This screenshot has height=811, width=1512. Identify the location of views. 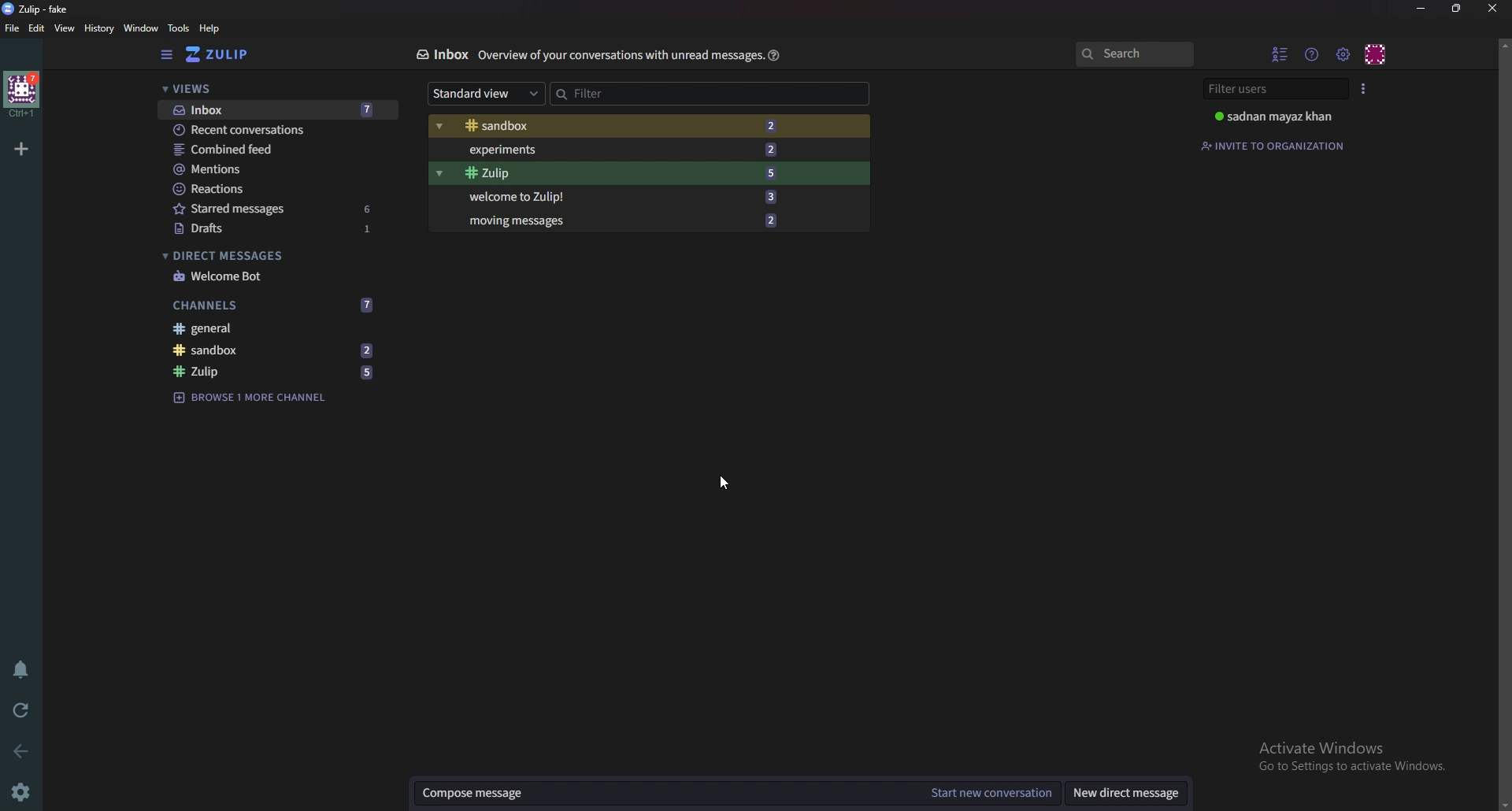
(272, 90).